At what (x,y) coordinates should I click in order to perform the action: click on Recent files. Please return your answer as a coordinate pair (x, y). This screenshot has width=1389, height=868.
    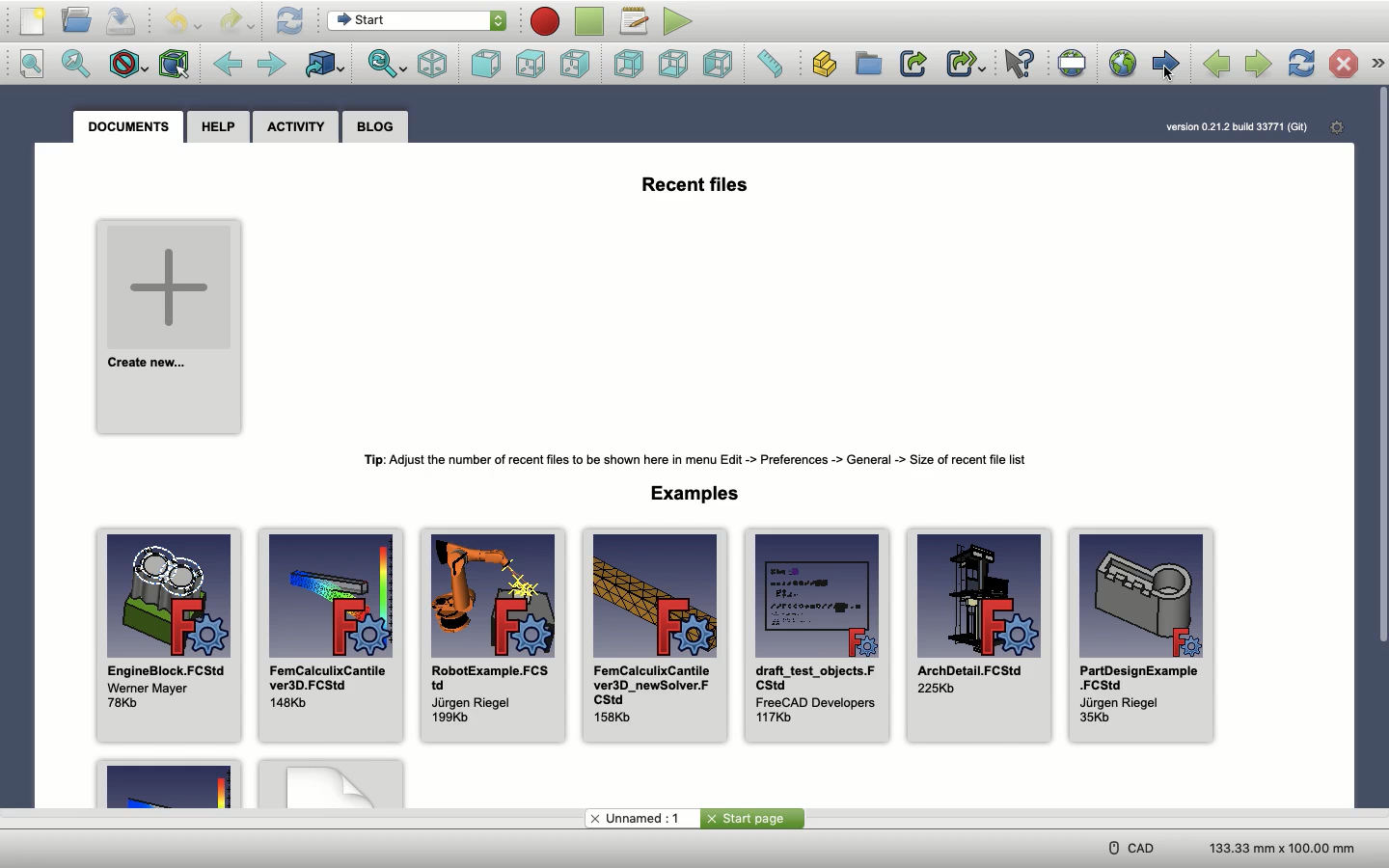
    Looking at the image, I should click on (697, 183).